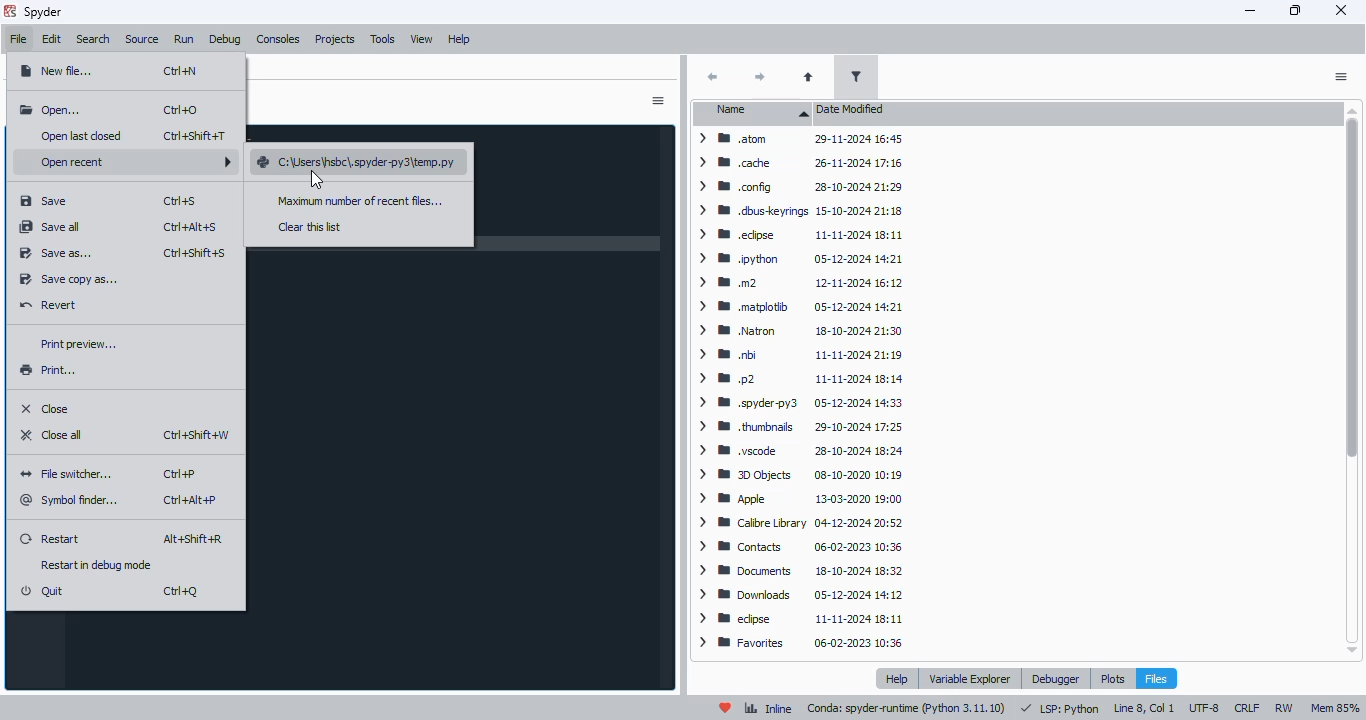 Image resolution: width=1366 pixels, height=720 pixels. I want to click on conda: spyder-runtime (pyton 3. 11. 10), so click(906, 710).